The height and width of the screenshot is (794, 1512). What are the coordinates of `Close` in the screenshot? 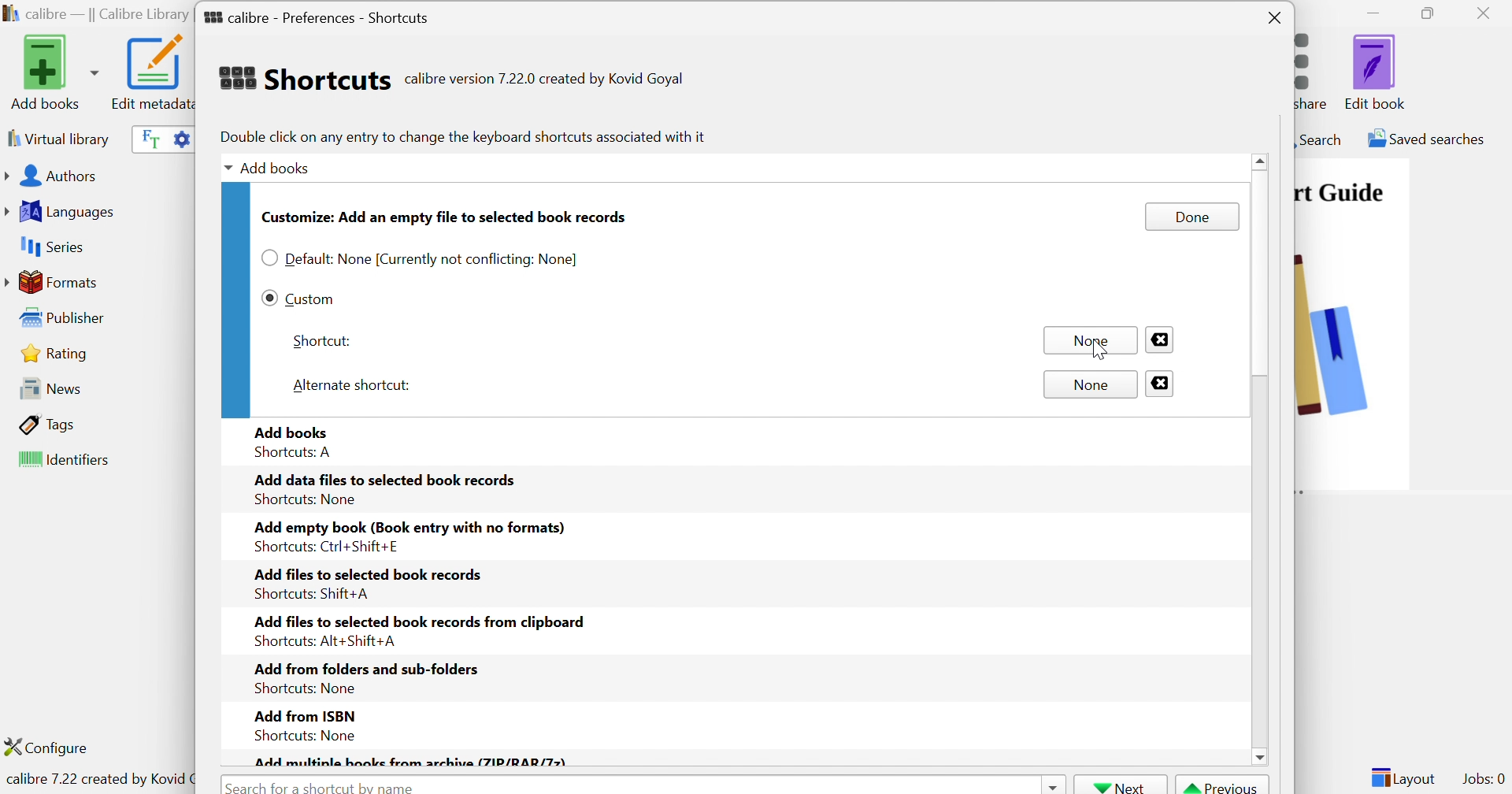 It's located at (1488, 13).